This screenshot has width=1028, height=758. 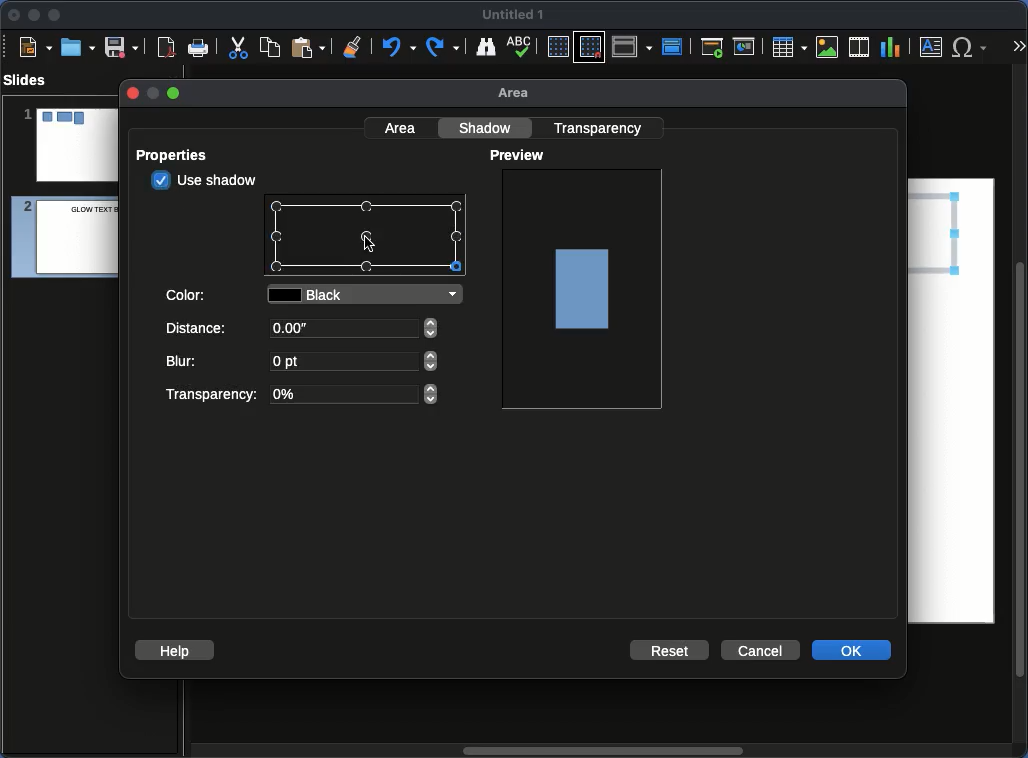 I want to click on Display grid, so click(x=557, y=48).